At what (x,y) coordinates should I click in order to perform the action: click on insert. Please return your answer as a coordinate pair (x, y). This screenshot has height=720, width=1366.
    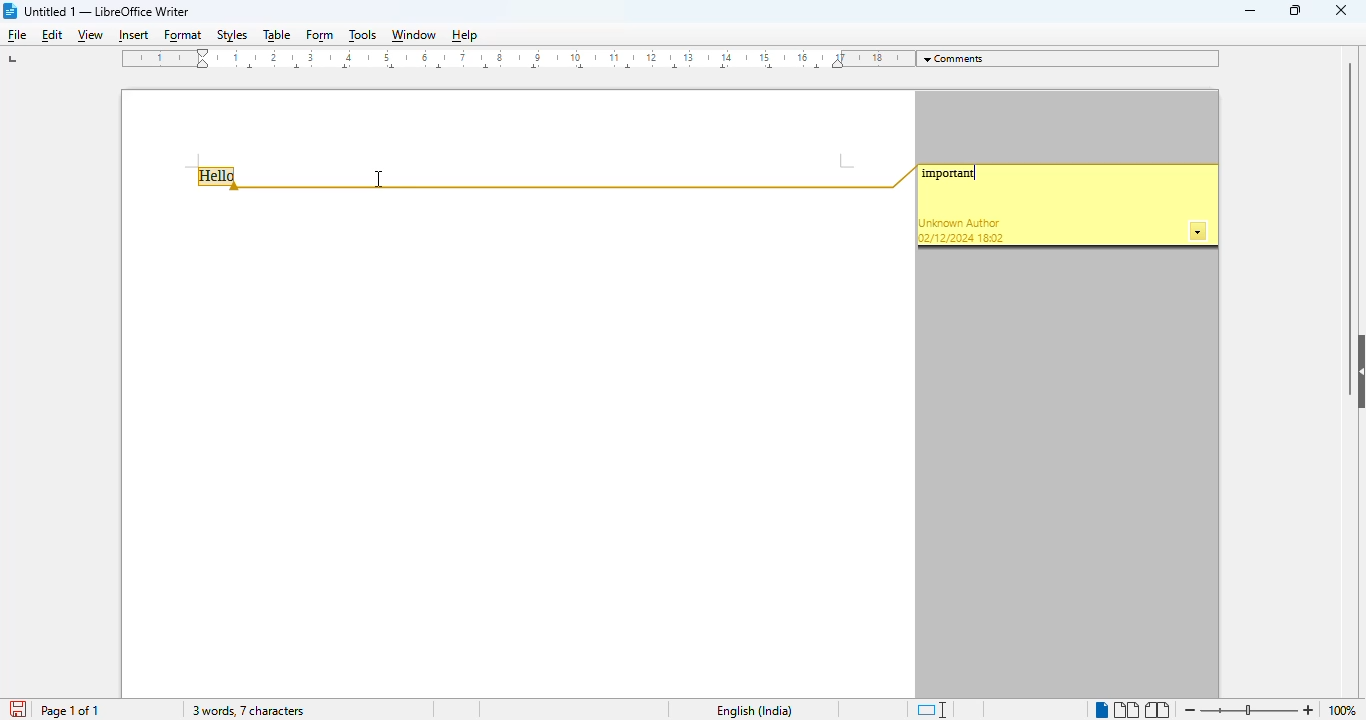
    Looking at the image, I should click on (131, 36).